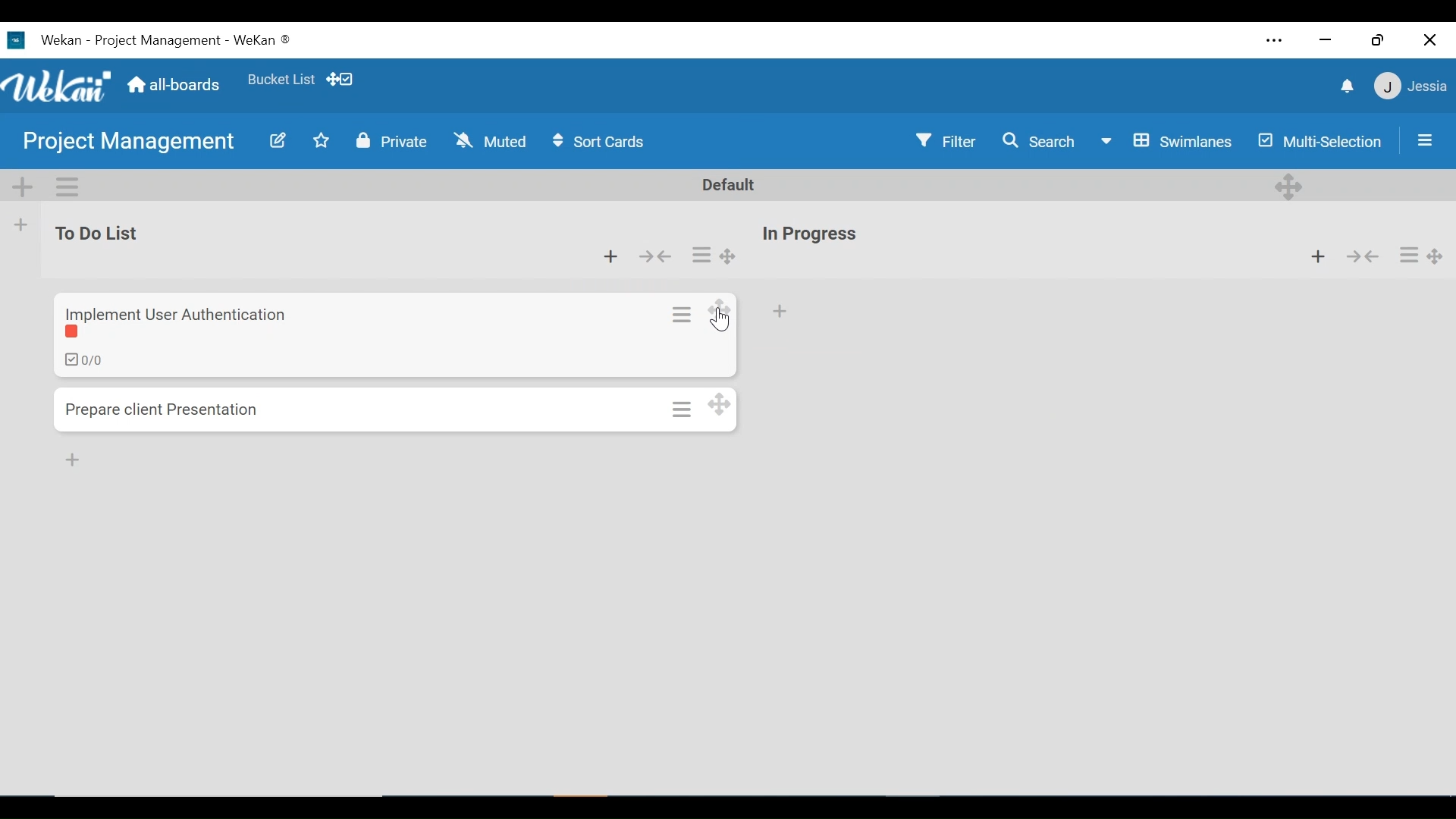 The height and width of the screenshot is (819, 1456). I want to click on Home (all boards), so click(174, 86).